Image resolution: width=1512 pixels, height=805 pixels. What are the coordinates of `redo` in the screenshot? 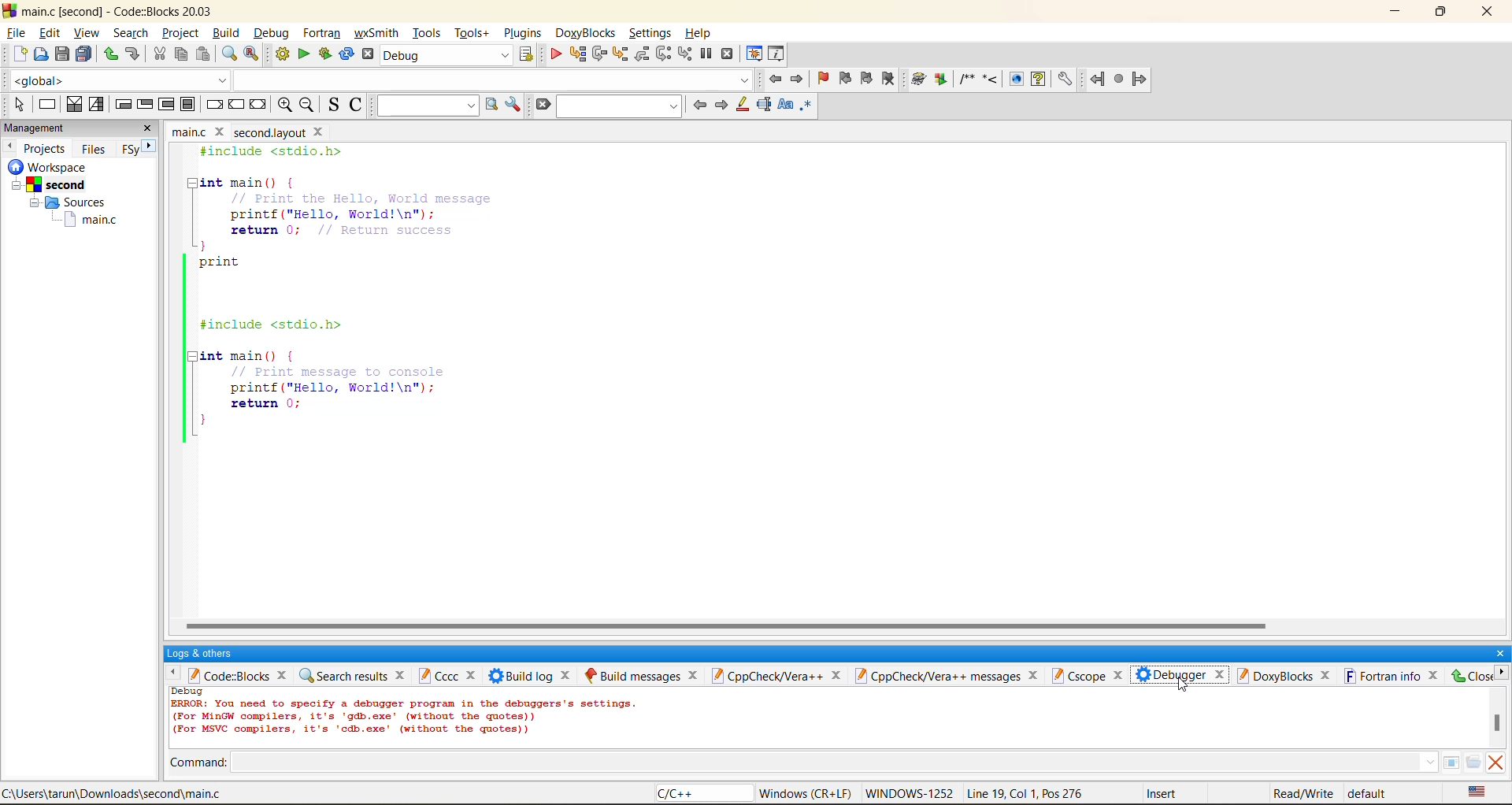 It's located at (135, 54).